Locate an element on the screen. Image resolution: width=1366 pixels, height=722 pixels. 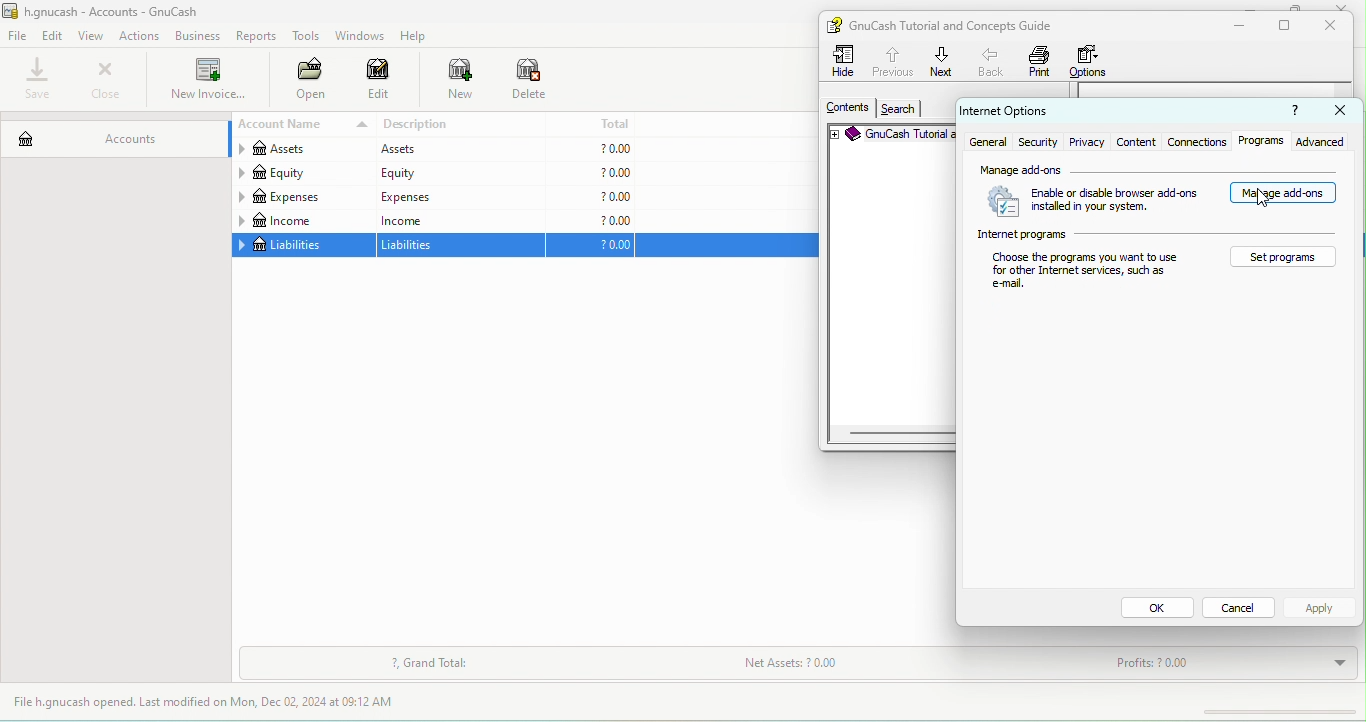
h. gnucash-accounts-gnu cash is located at coordinates (125, 10).